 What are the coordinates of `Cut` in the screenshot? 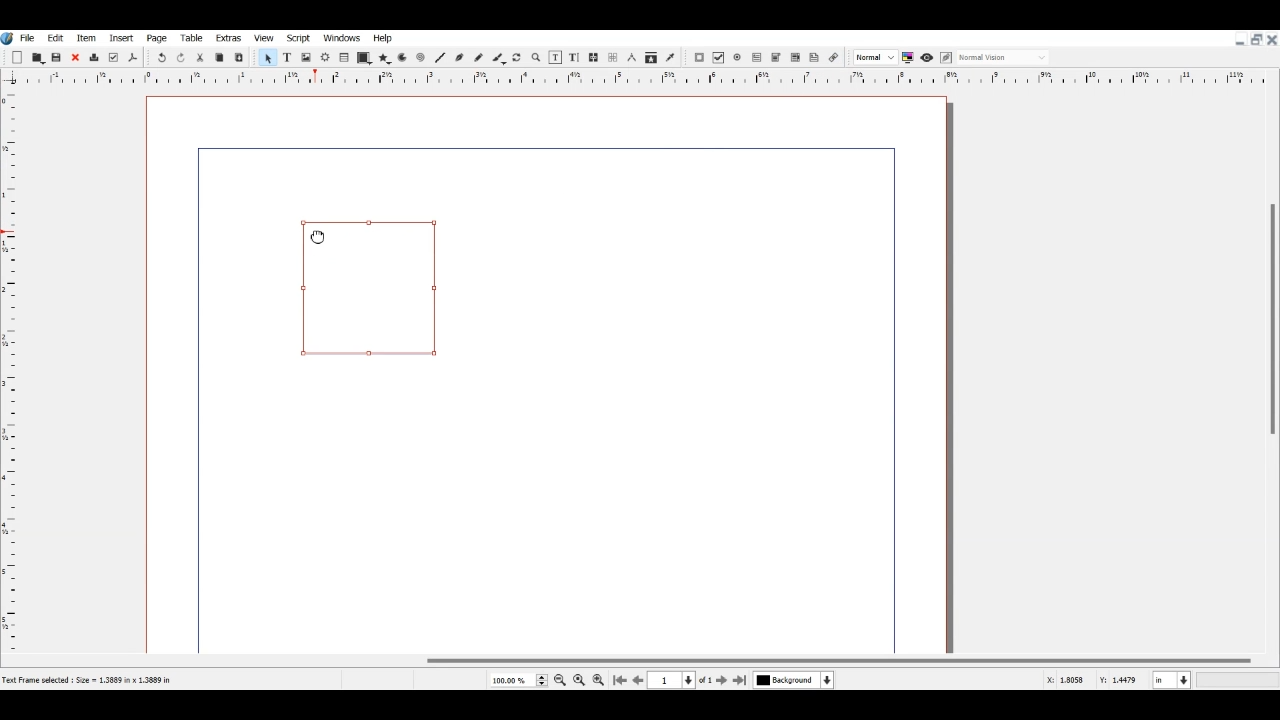 It's located at (200, 57).